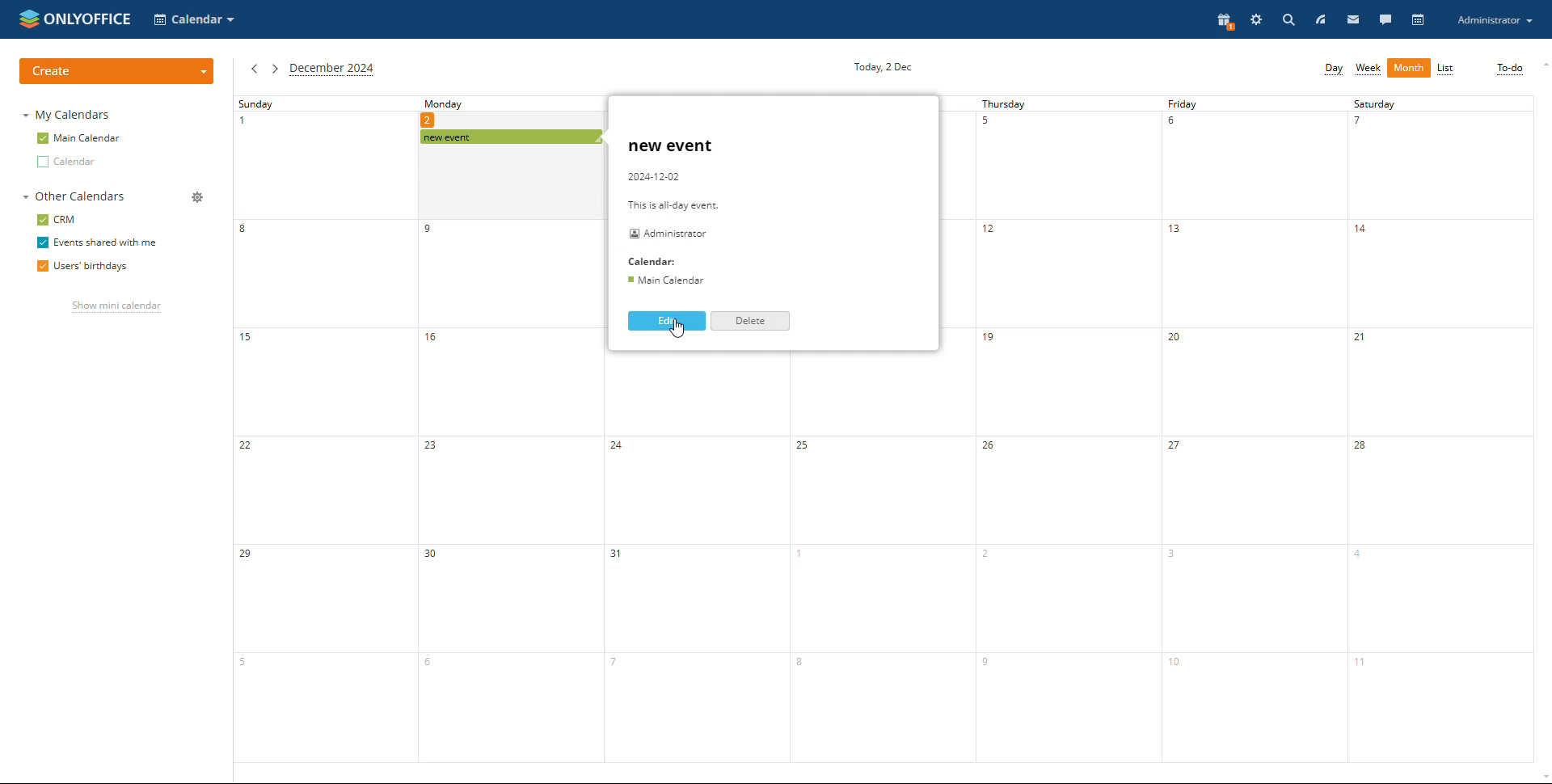 The width and height of the screenshot is (1552, 784). What do you see at coordinates (194, 20) in the screenshot?
I see `select application` at bounding box center [194, 20].